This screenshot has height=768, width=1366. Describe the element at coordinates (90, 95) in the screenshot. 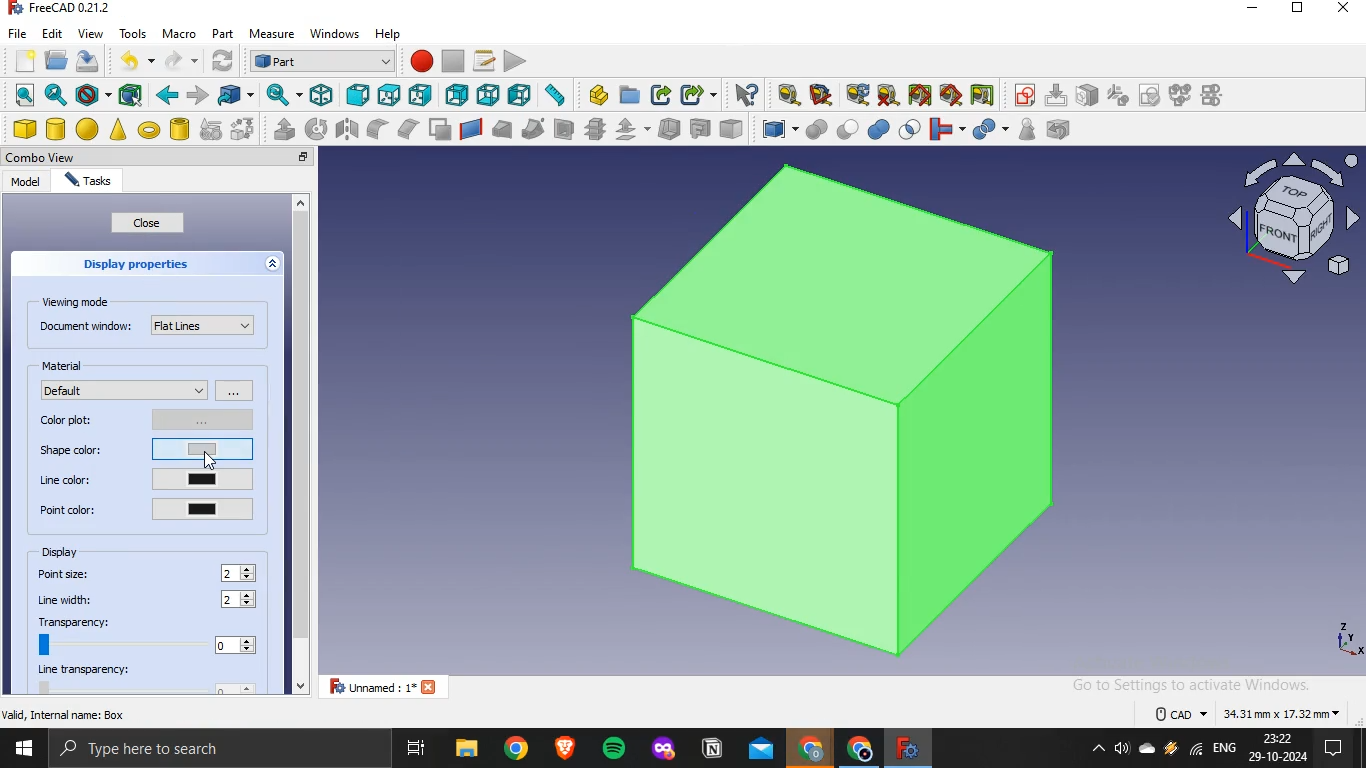

I see `draw style` at that location.